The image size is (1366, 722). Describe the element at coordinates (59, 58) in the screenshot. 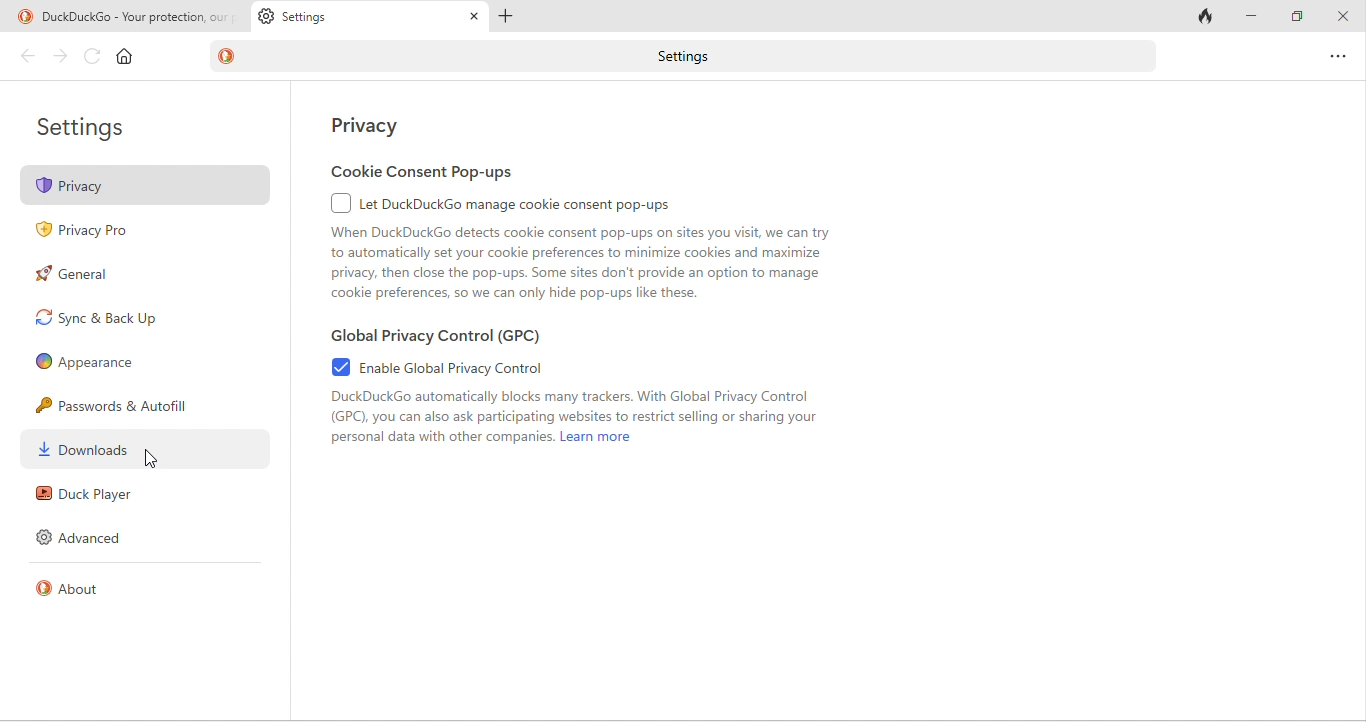

I see `forward` at that location.